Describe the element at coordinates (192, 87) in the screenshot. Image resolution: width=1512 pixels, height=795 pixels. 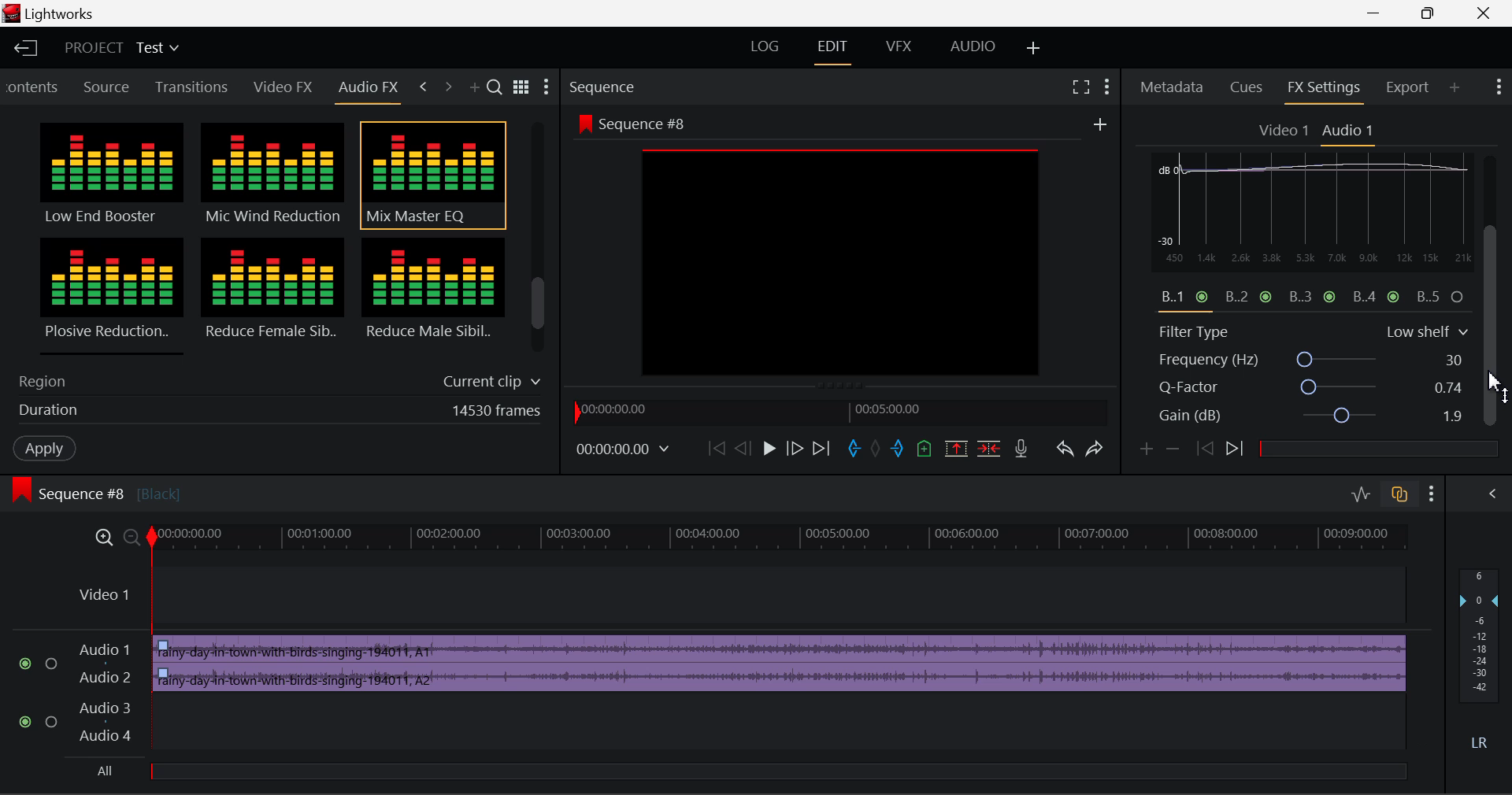
I see `Transitions` at that location.